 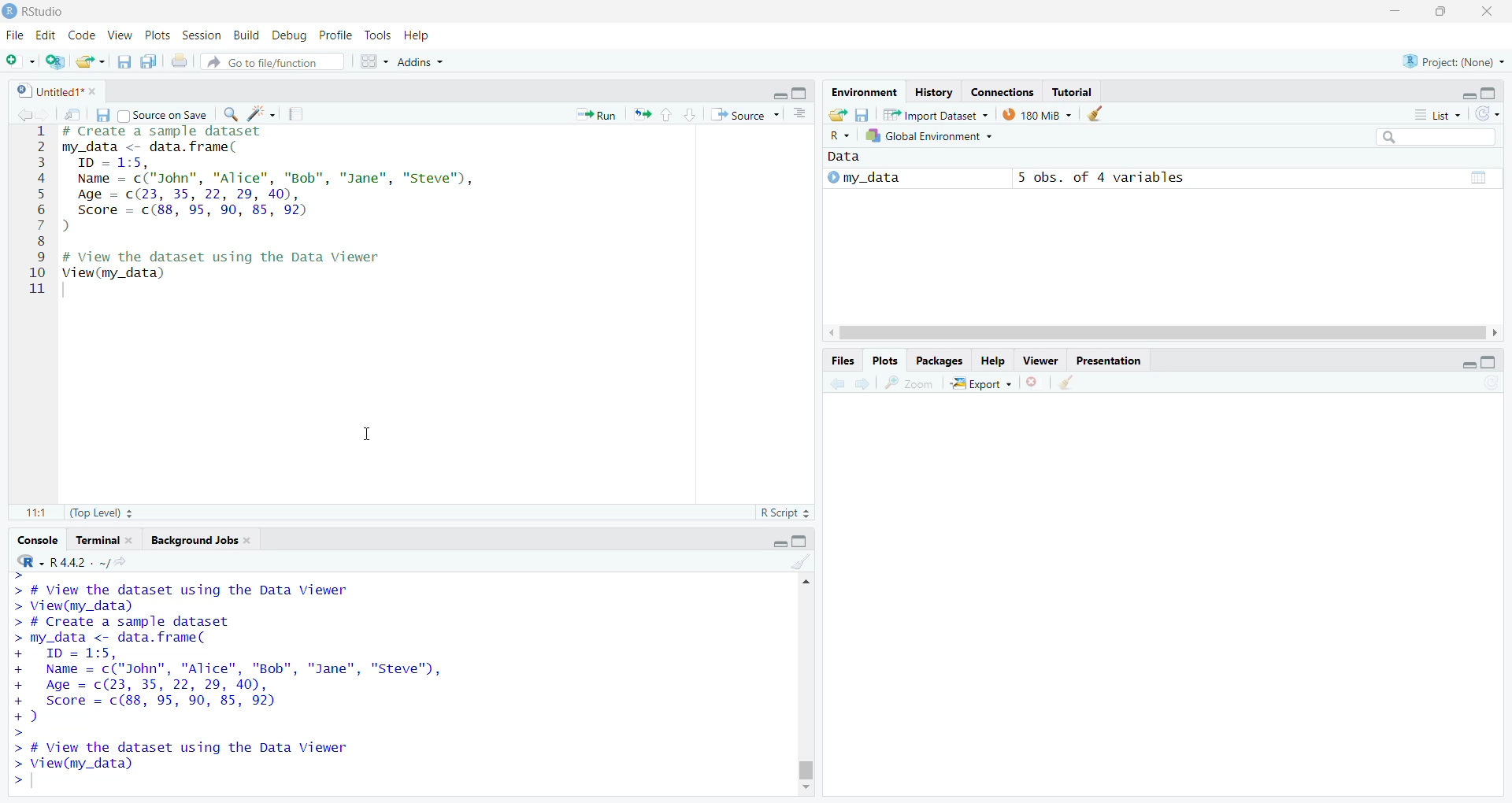 What do you see at coordinates (232, 114) in the screenshot?
I see `Zoom` at bounding box center [232, 114].